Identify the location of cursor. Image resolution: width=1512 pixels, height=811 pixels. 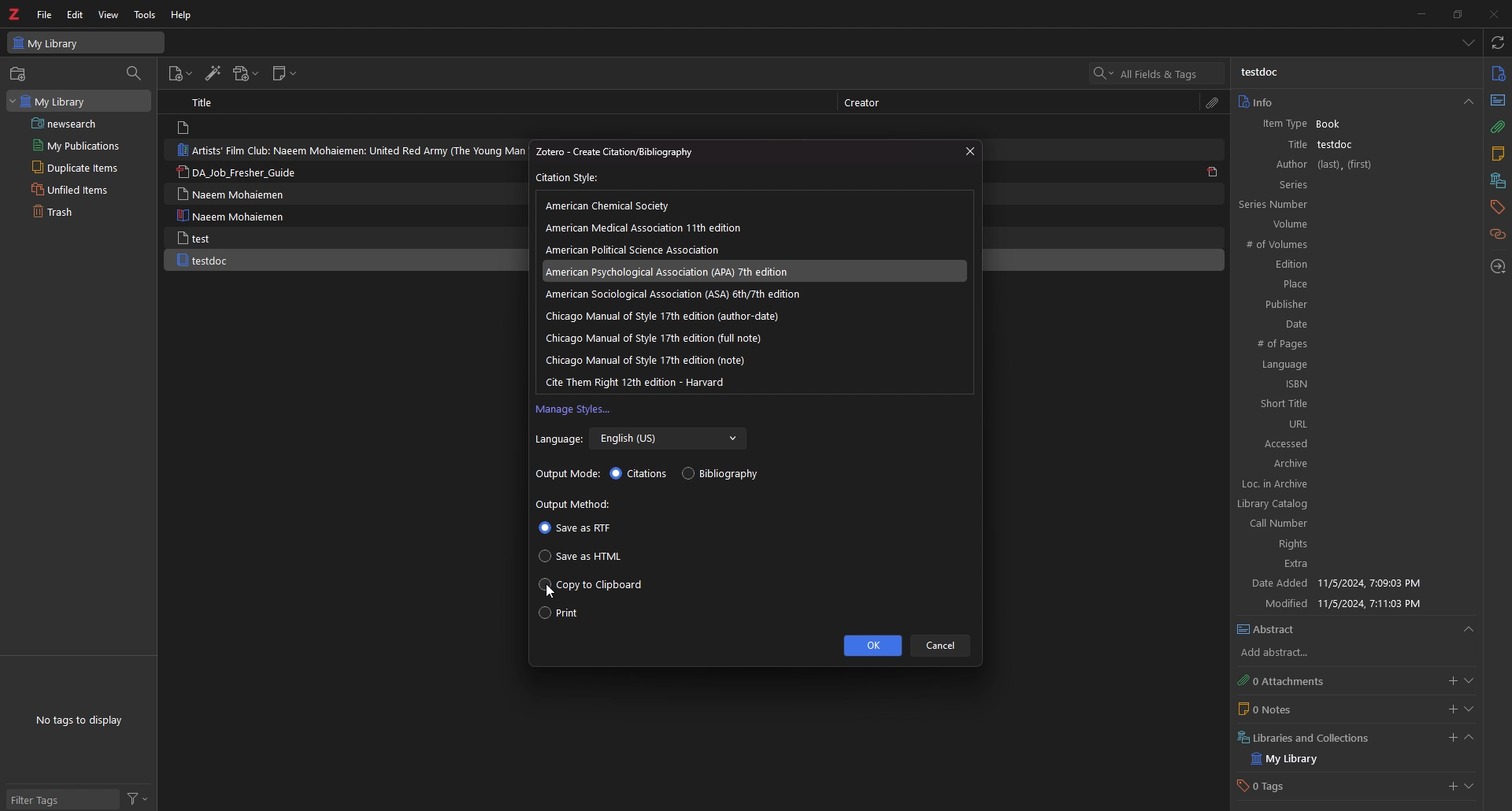
(551, 594).